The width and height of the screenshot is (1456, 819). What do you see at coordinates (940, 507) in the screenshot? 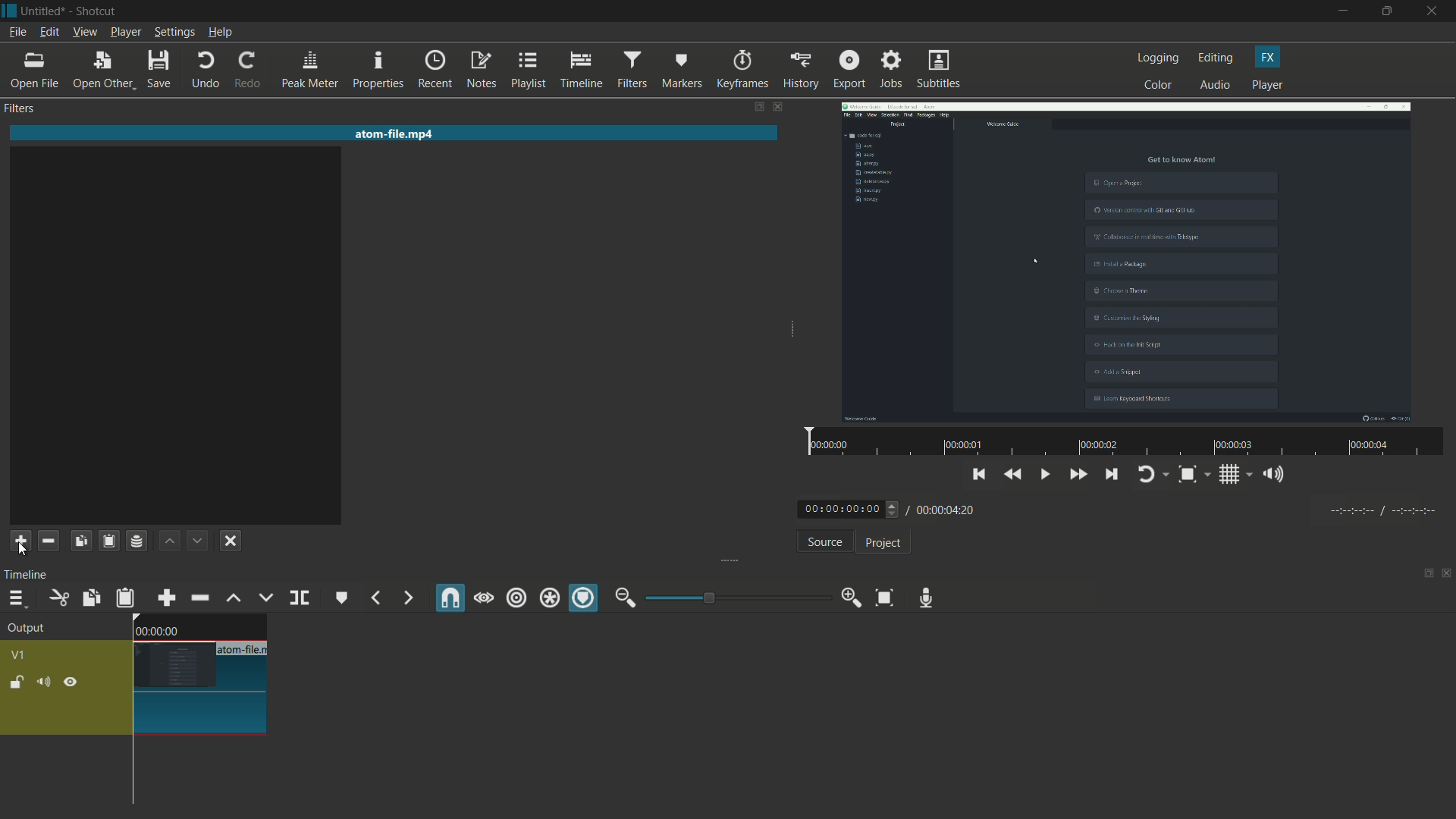
I see `/ 00:00:04:20 (total time)` at bounding box center [940, 507].